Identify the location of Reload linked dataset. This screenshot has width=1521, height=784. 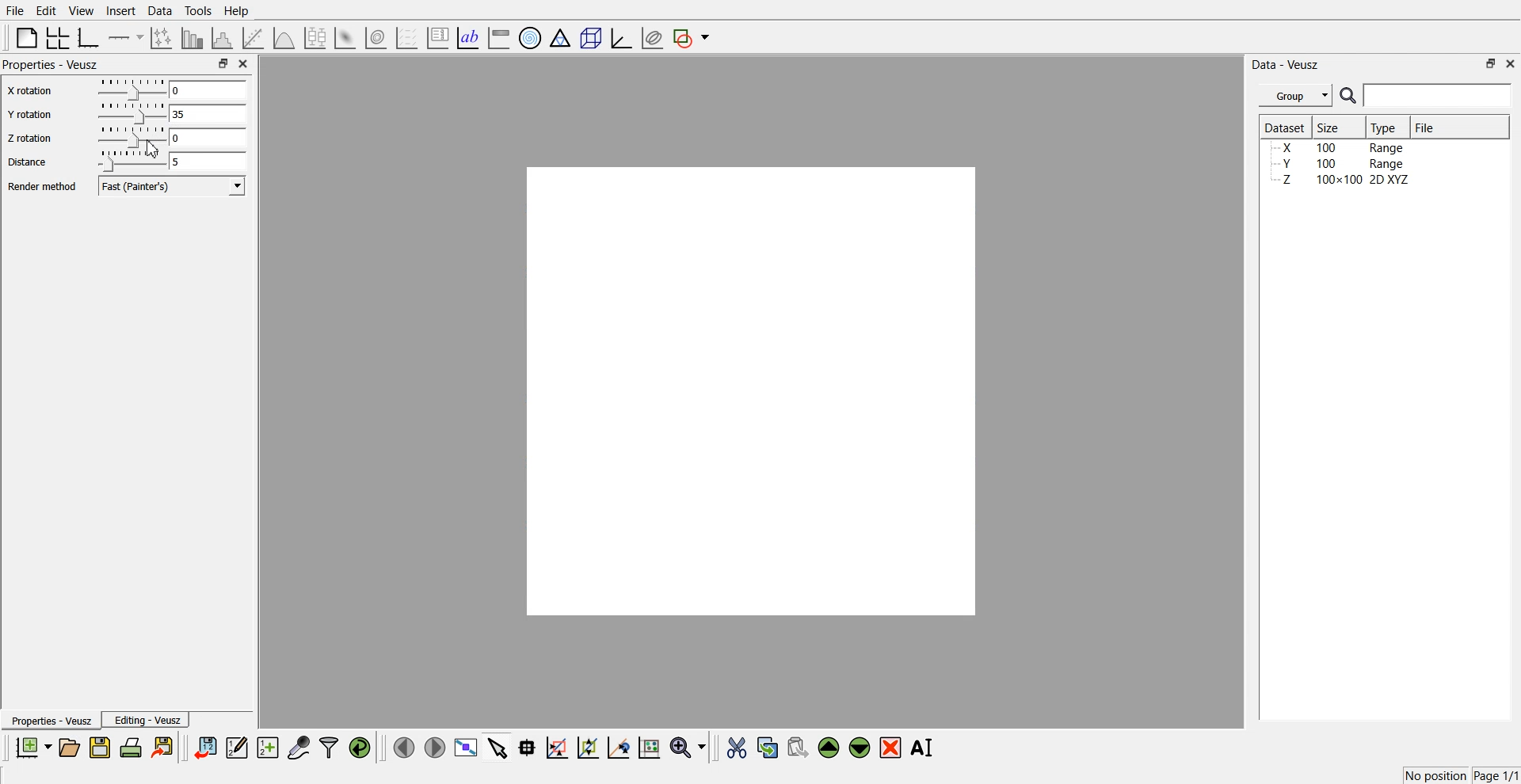
(360, 748).